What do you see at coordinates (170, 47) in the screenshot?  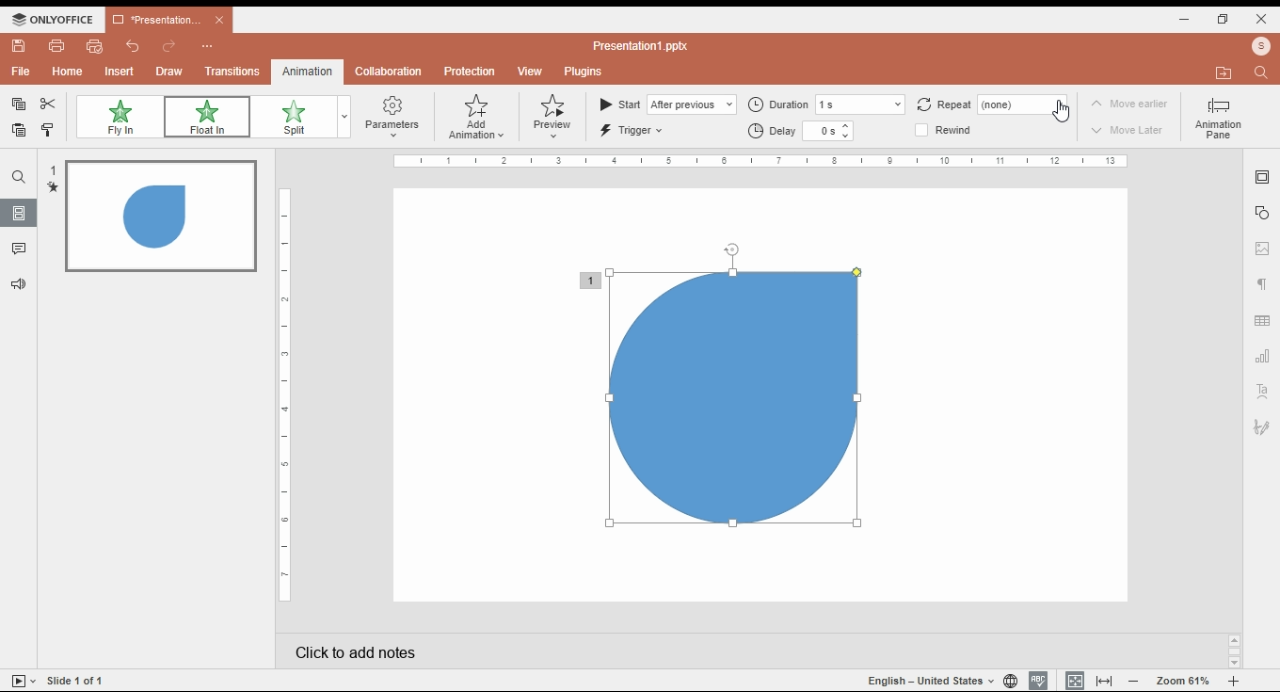 I see `redo` at bounding box center [170, 47].